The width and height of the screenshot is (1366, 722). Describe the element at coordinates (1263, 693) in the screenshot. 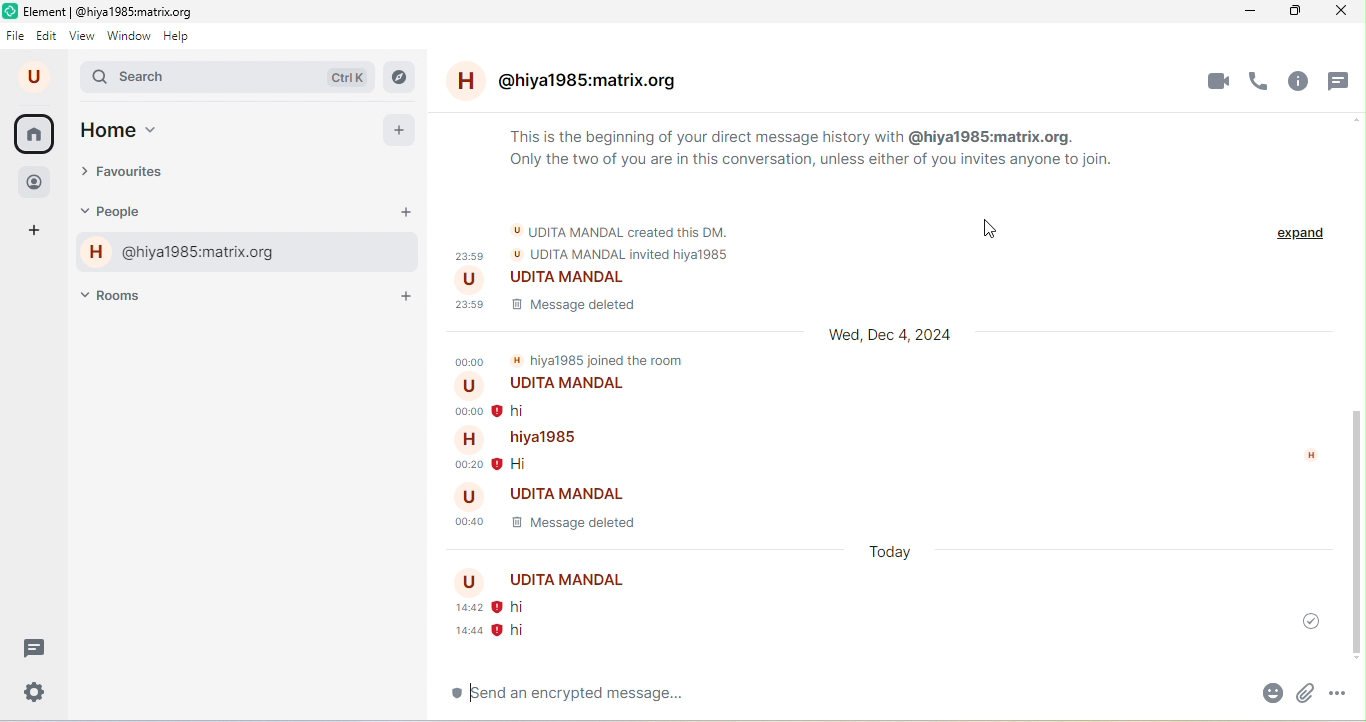

I see `emoji` at that location.